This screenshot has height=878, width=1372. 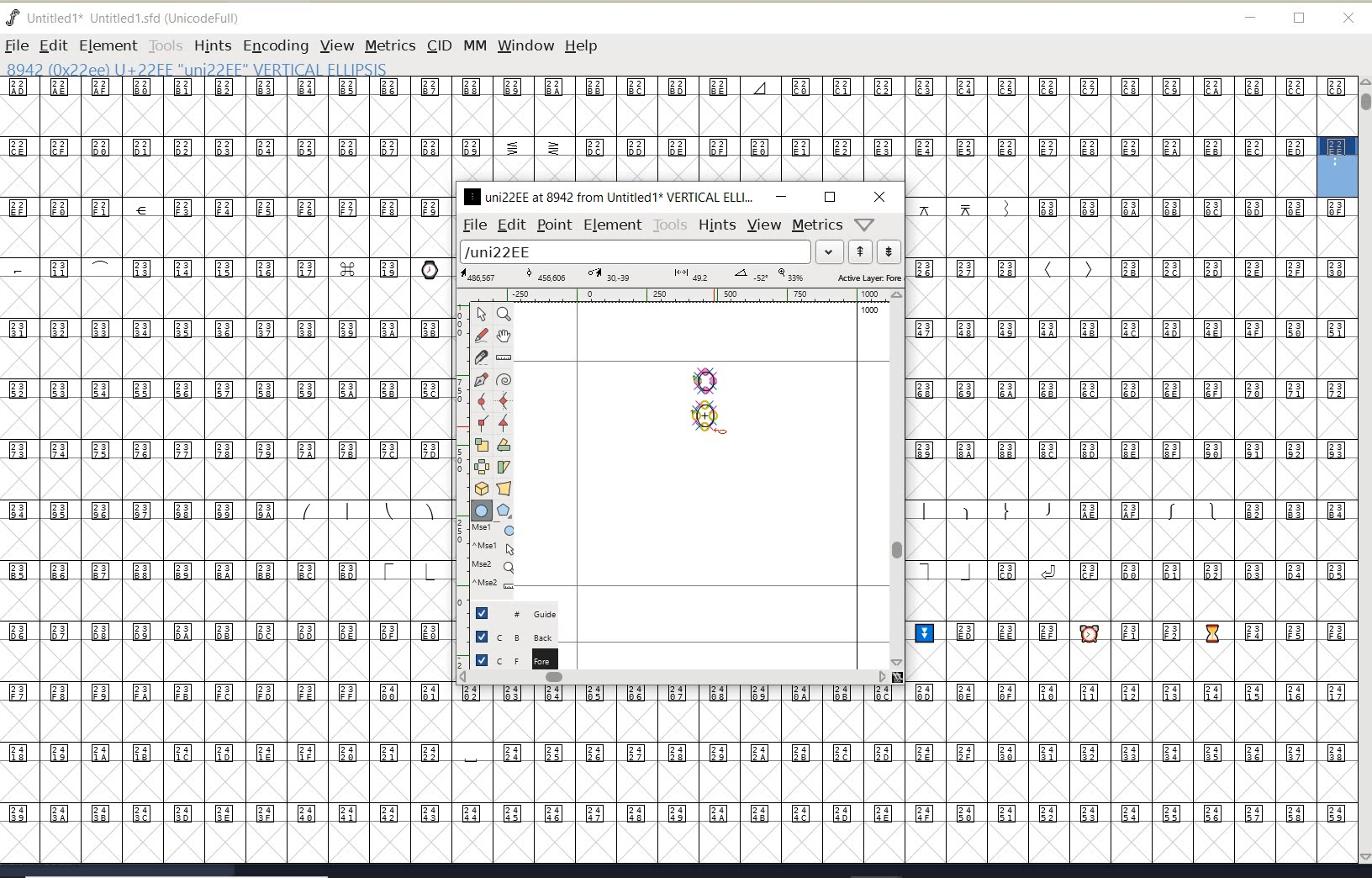 I want to click on rectangle or ellipse, so click(x=483, y=511).